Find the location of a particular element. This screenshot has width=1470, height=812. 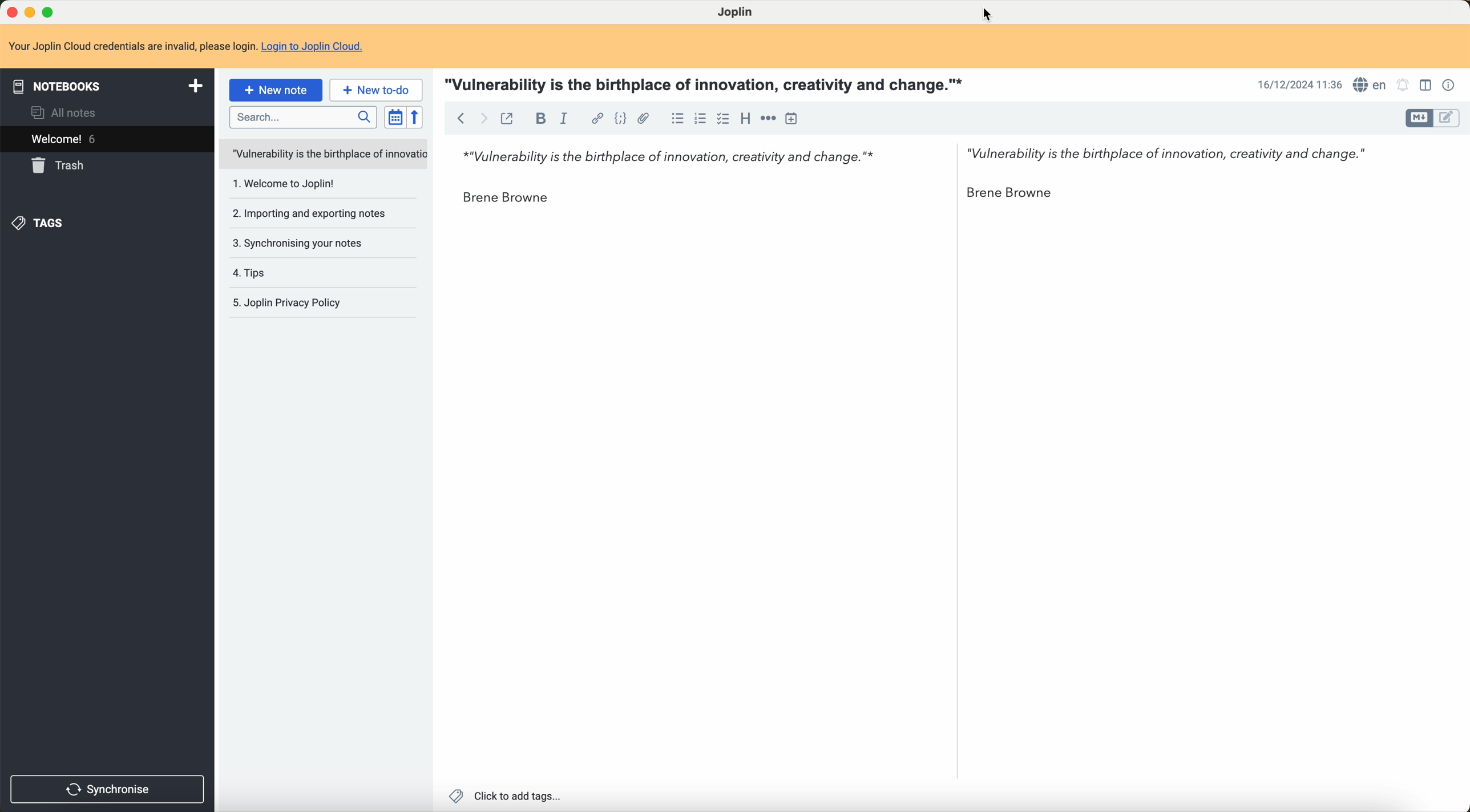

Brene Browne is located at coordinates (506, 199).